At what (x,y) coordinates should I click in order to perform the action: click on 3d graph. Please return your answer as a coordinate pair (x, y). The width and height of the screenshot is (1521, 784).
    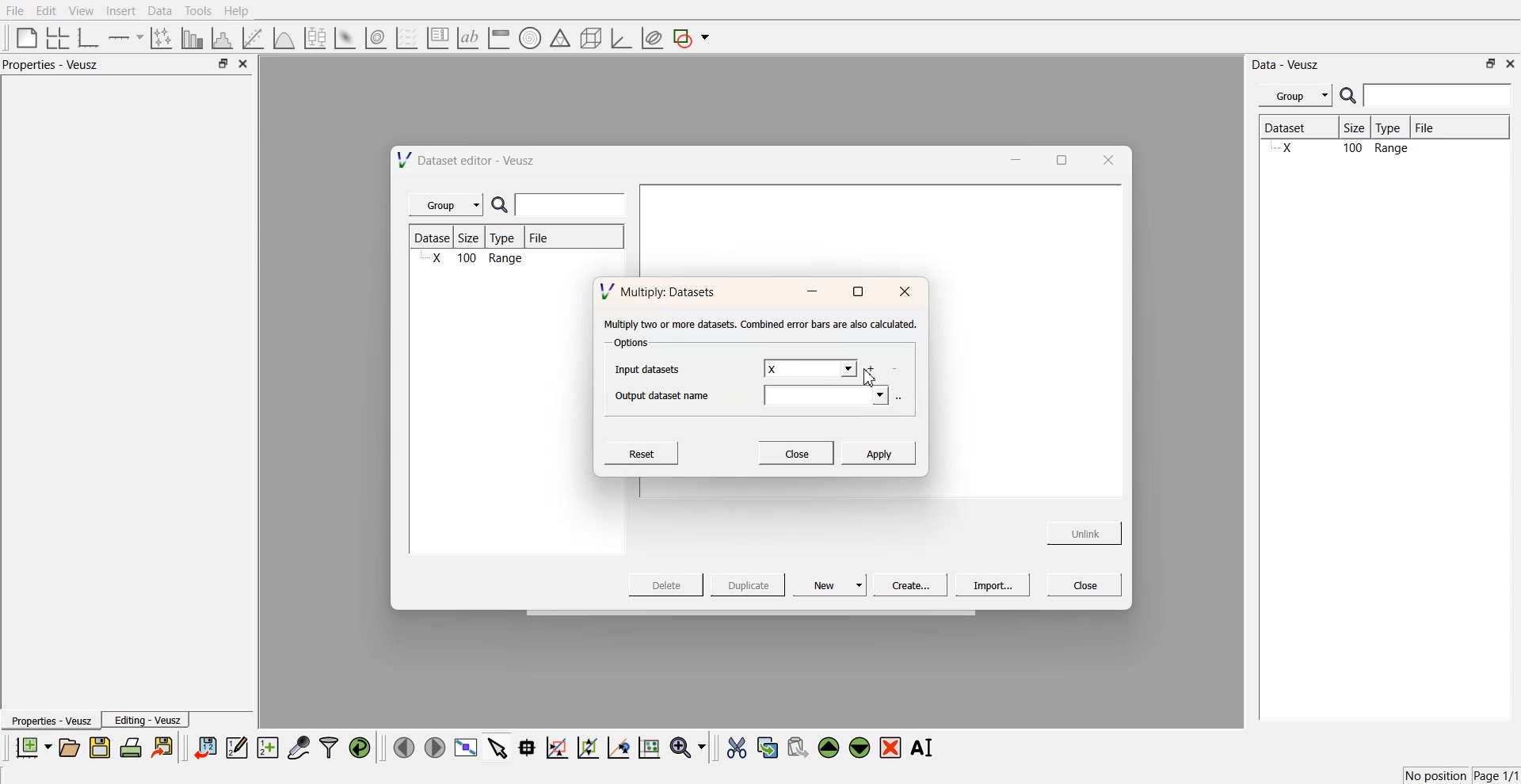
    Looking at the image, I should click on (620, 39).